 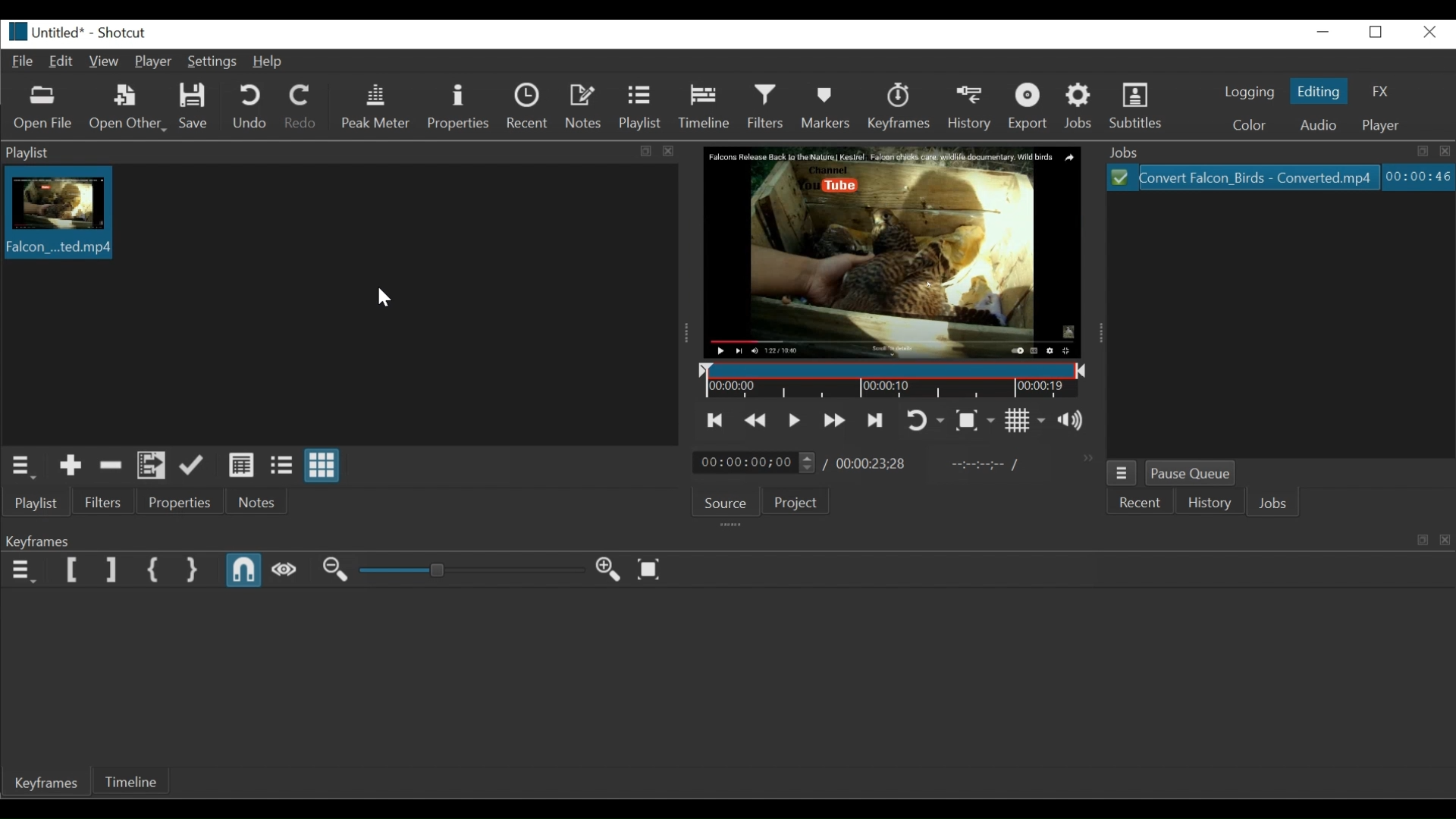 I want to click on File, so click(x=1246, y=176).